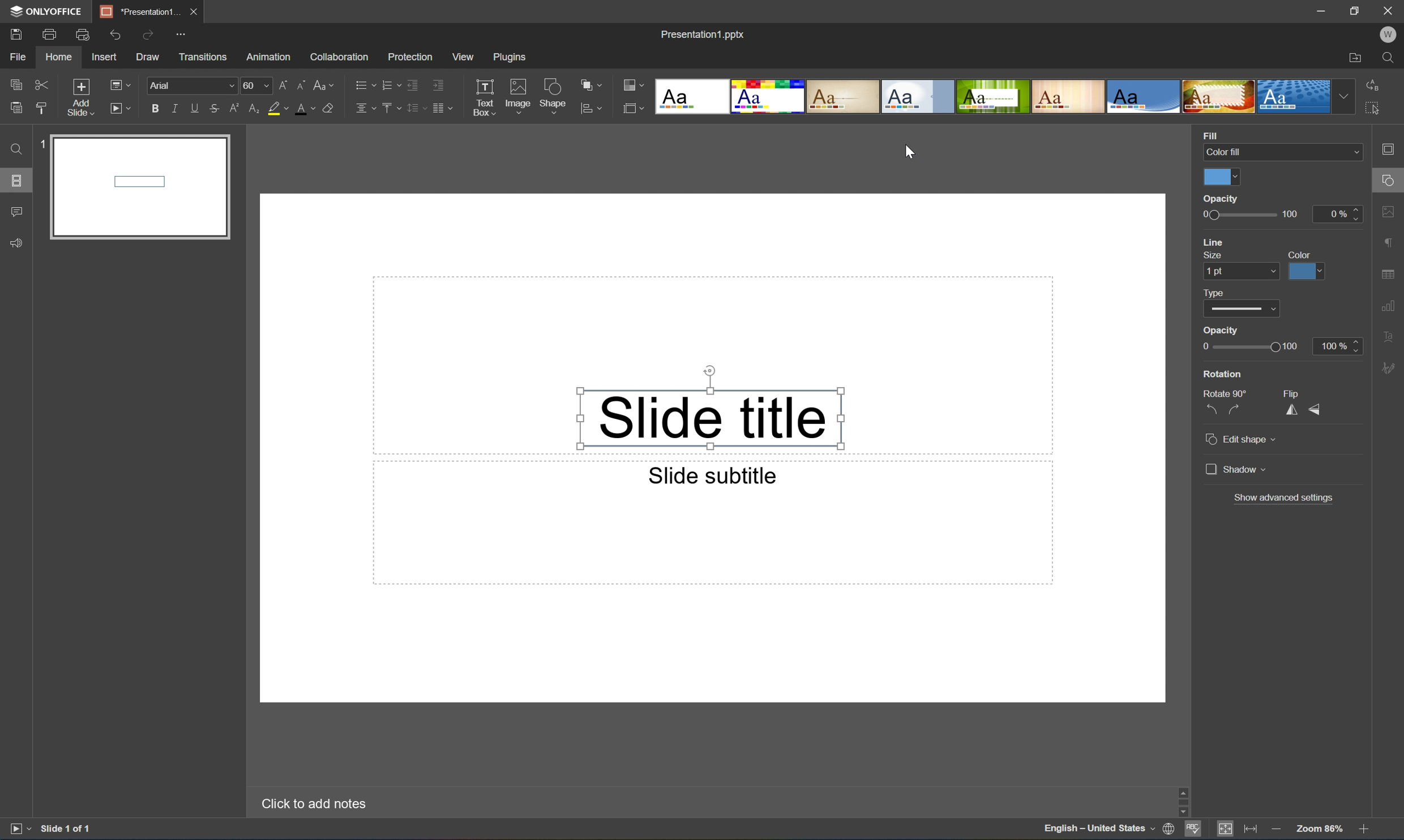 This screenshot has height=840, width=1404. Describe the element at coordinates (485, 97) in the screenshot. I see `Text box` at that location.